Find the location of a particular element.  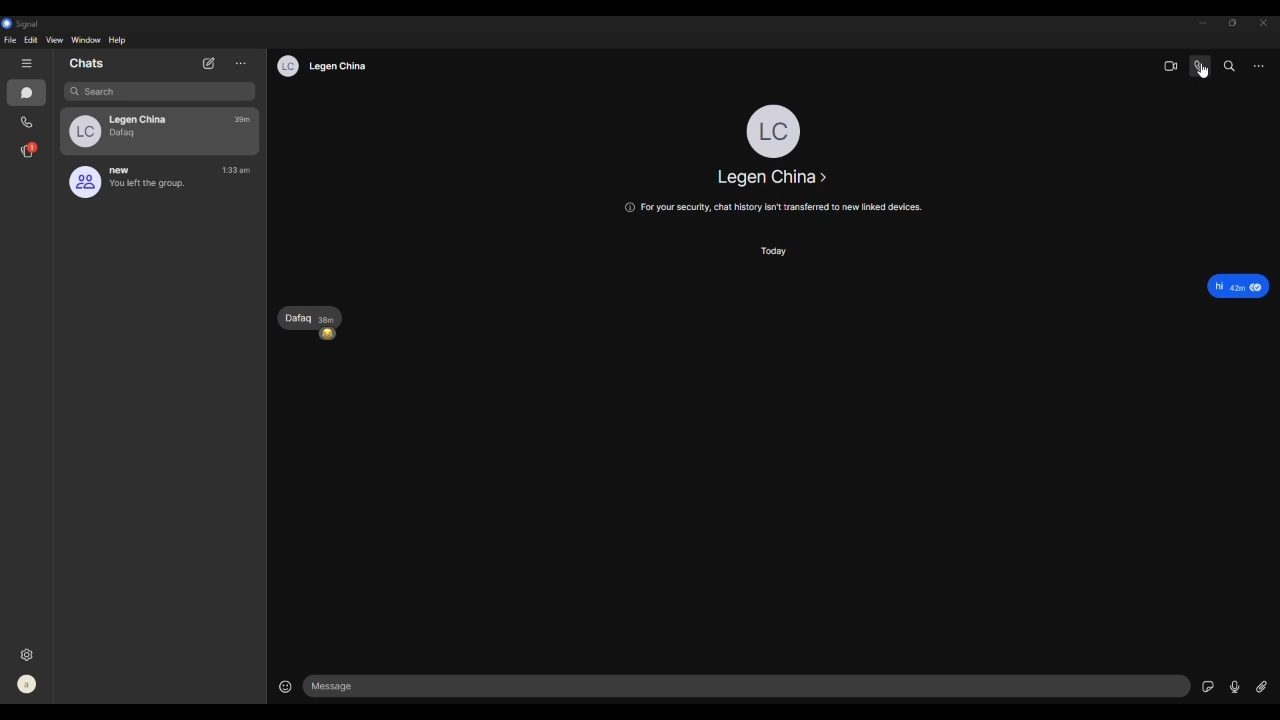

stories is located at coordinates (31, 150).